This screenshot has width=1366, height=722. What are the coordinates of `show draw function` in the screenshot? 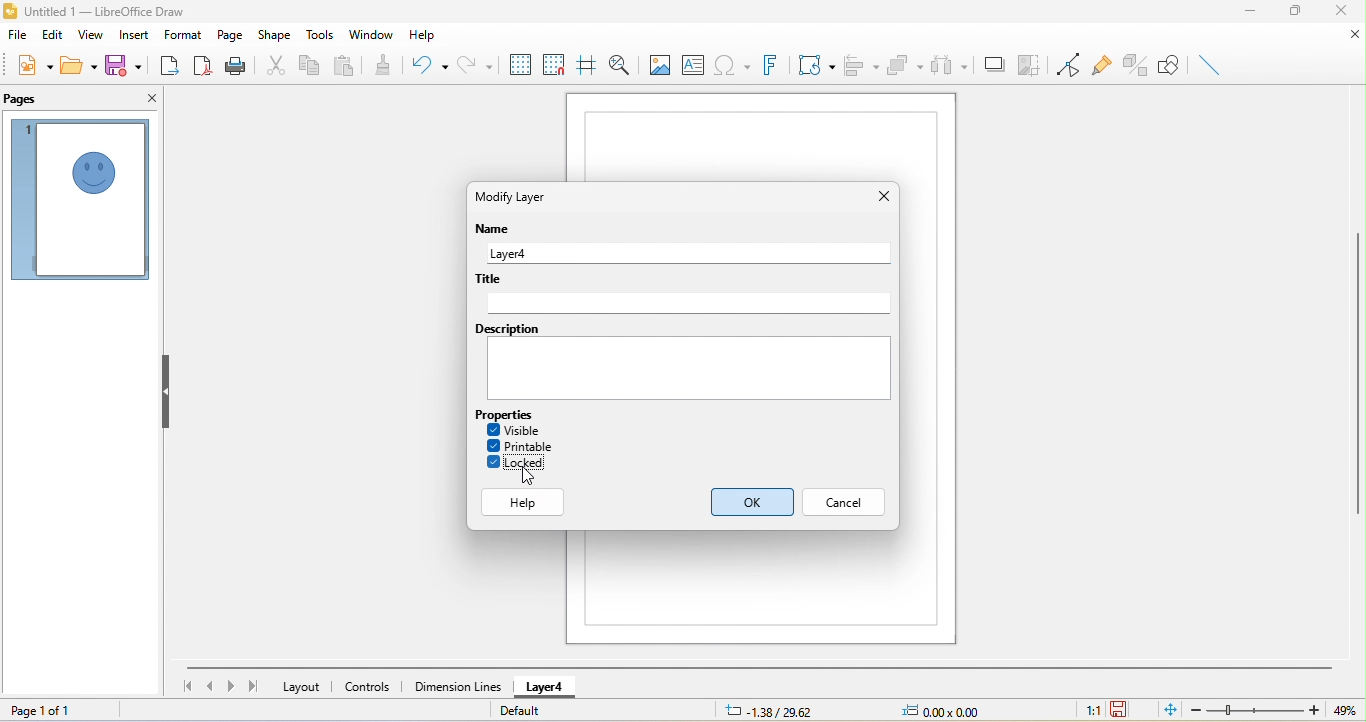 It's located at (1167, 65).